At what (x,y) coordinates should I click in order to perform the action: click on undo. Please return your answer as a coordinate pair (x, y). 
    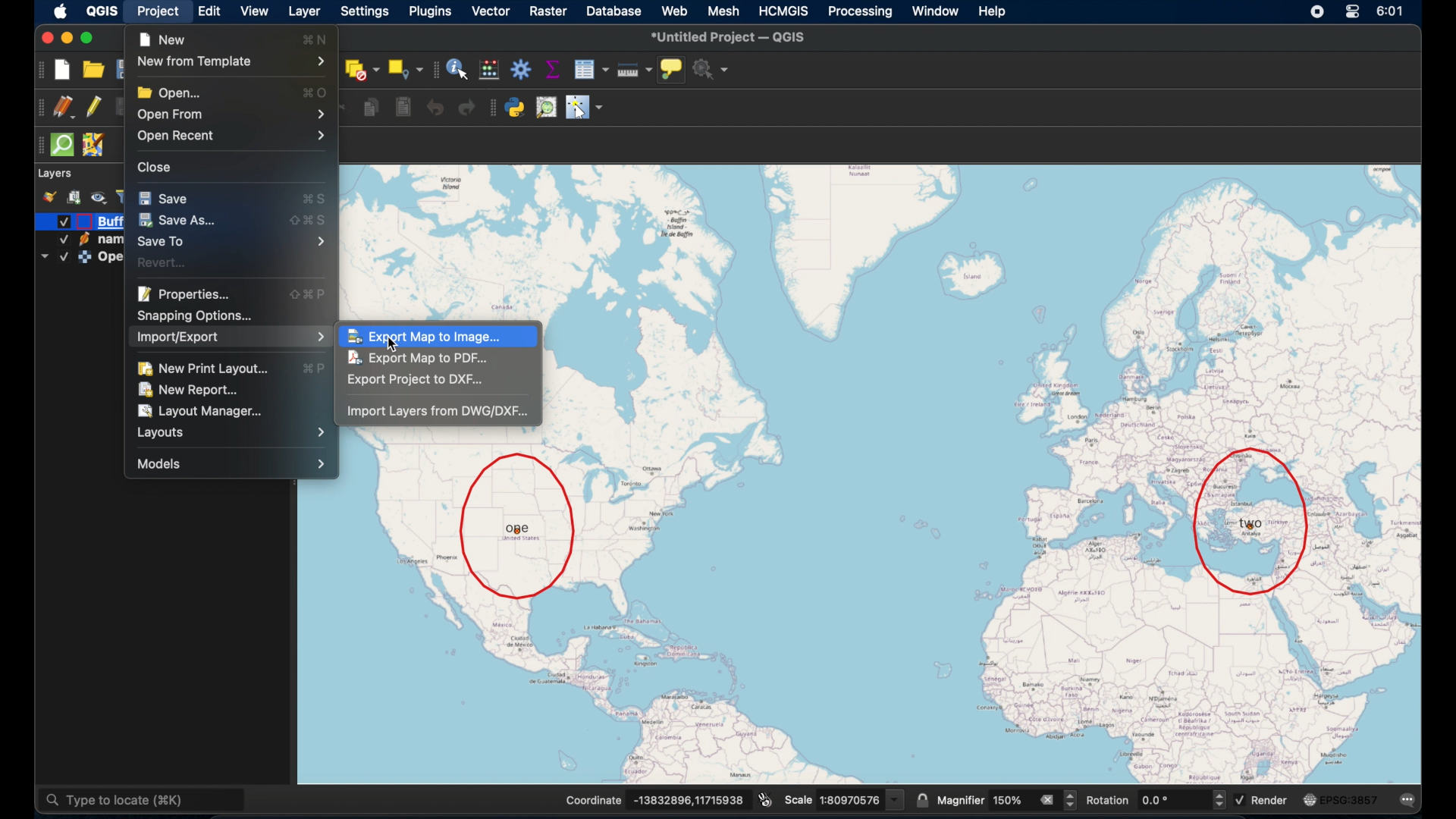
    Looking at the image, I should click on (434, 108).